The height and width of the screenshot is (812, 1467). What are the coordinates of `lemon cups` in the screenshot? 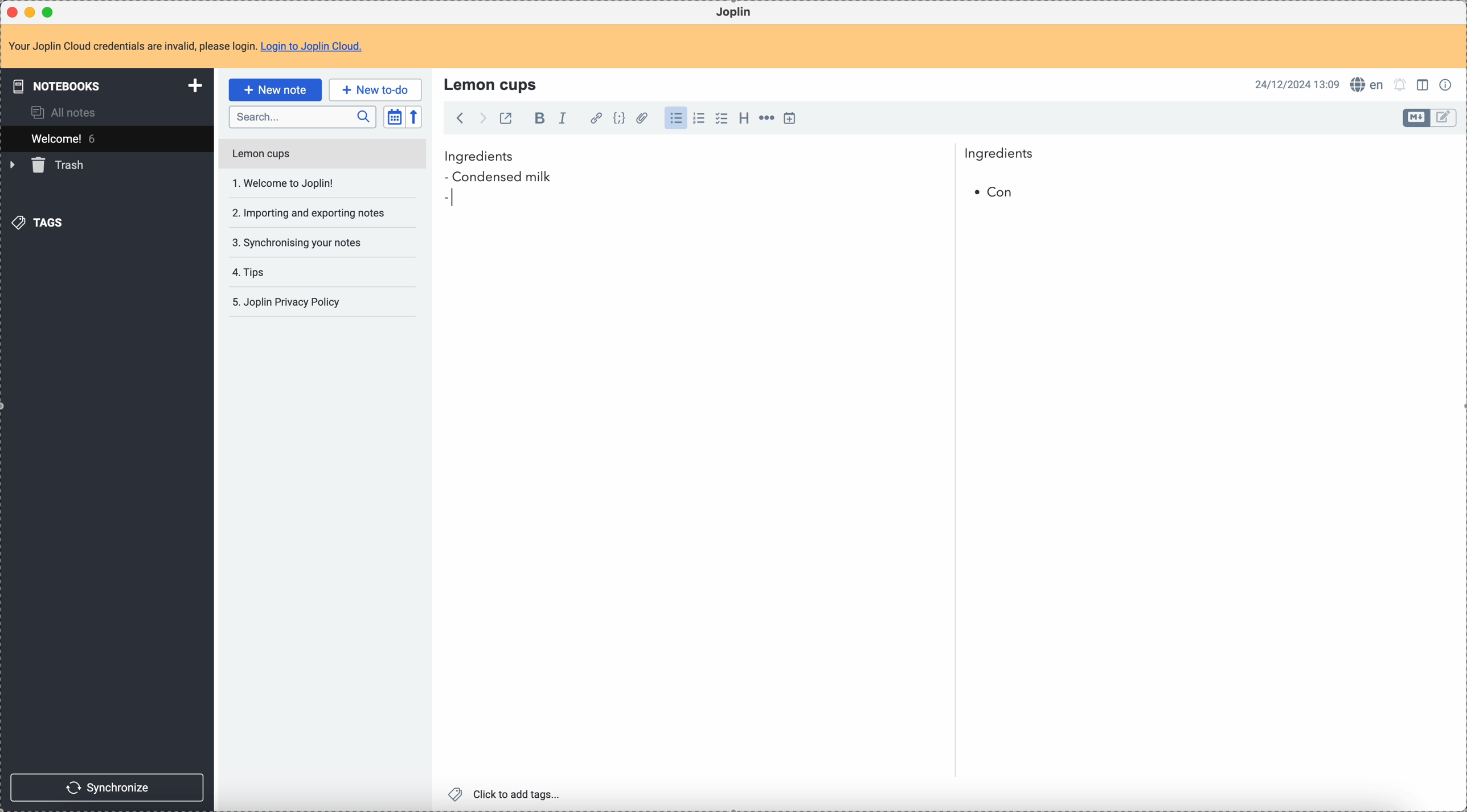 It's located at (321, 156).